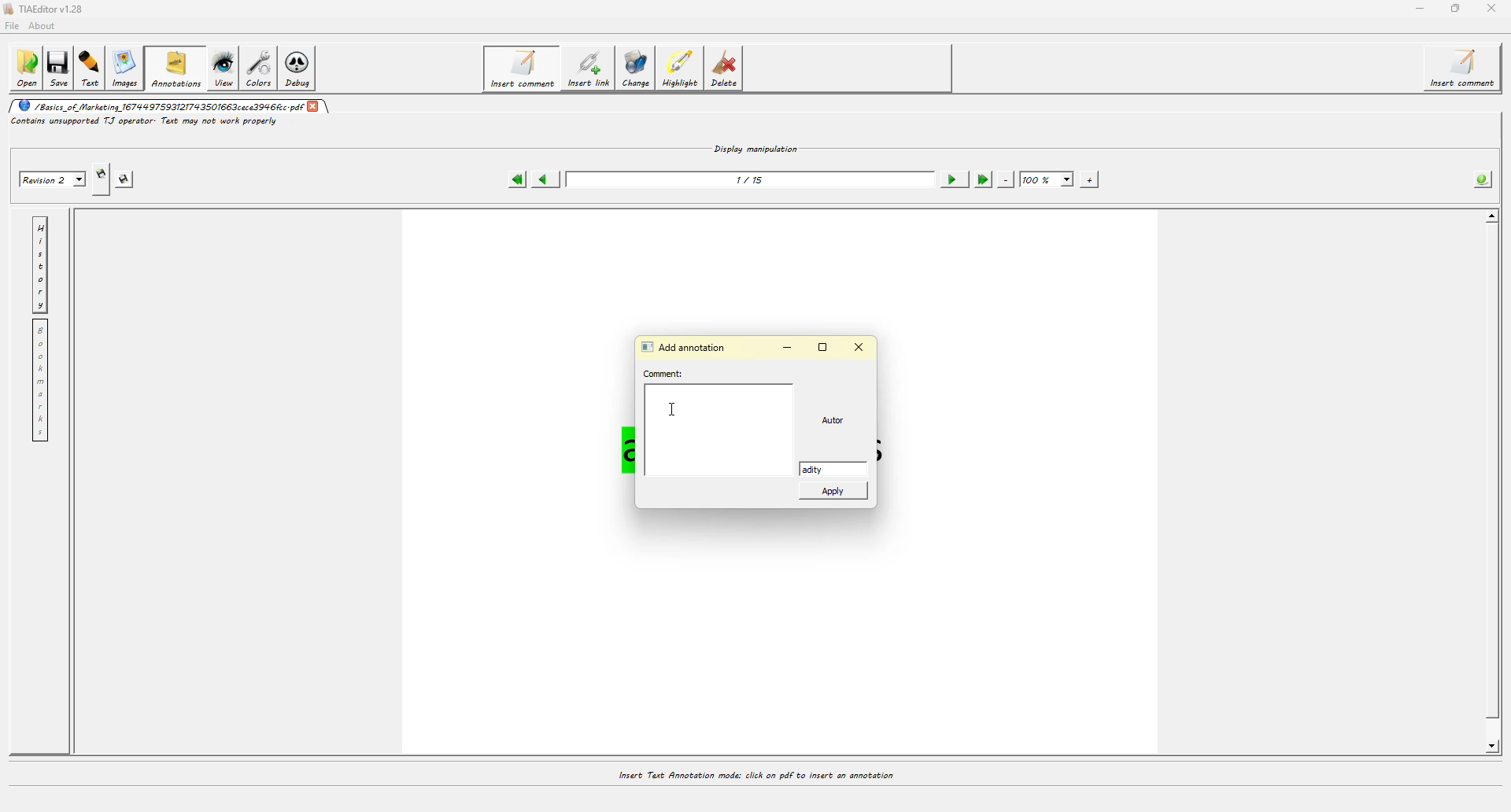  I want to click on open, so click(26, 68).